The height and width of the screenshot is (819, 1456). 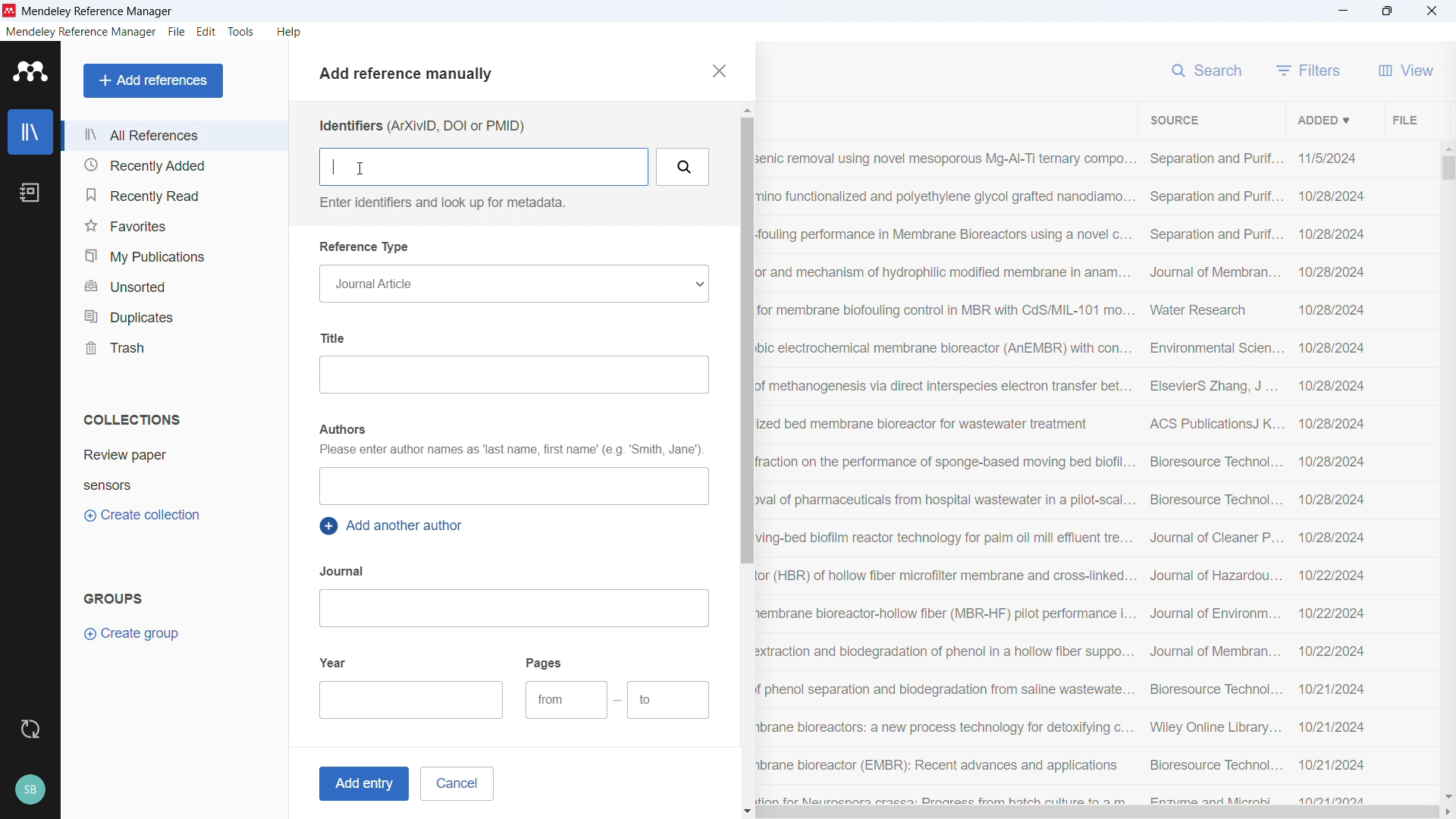 What do you see at coordinates (176, 485) in the screenshot?
I see `Collection 2 ` at bounding box center [176, 485].